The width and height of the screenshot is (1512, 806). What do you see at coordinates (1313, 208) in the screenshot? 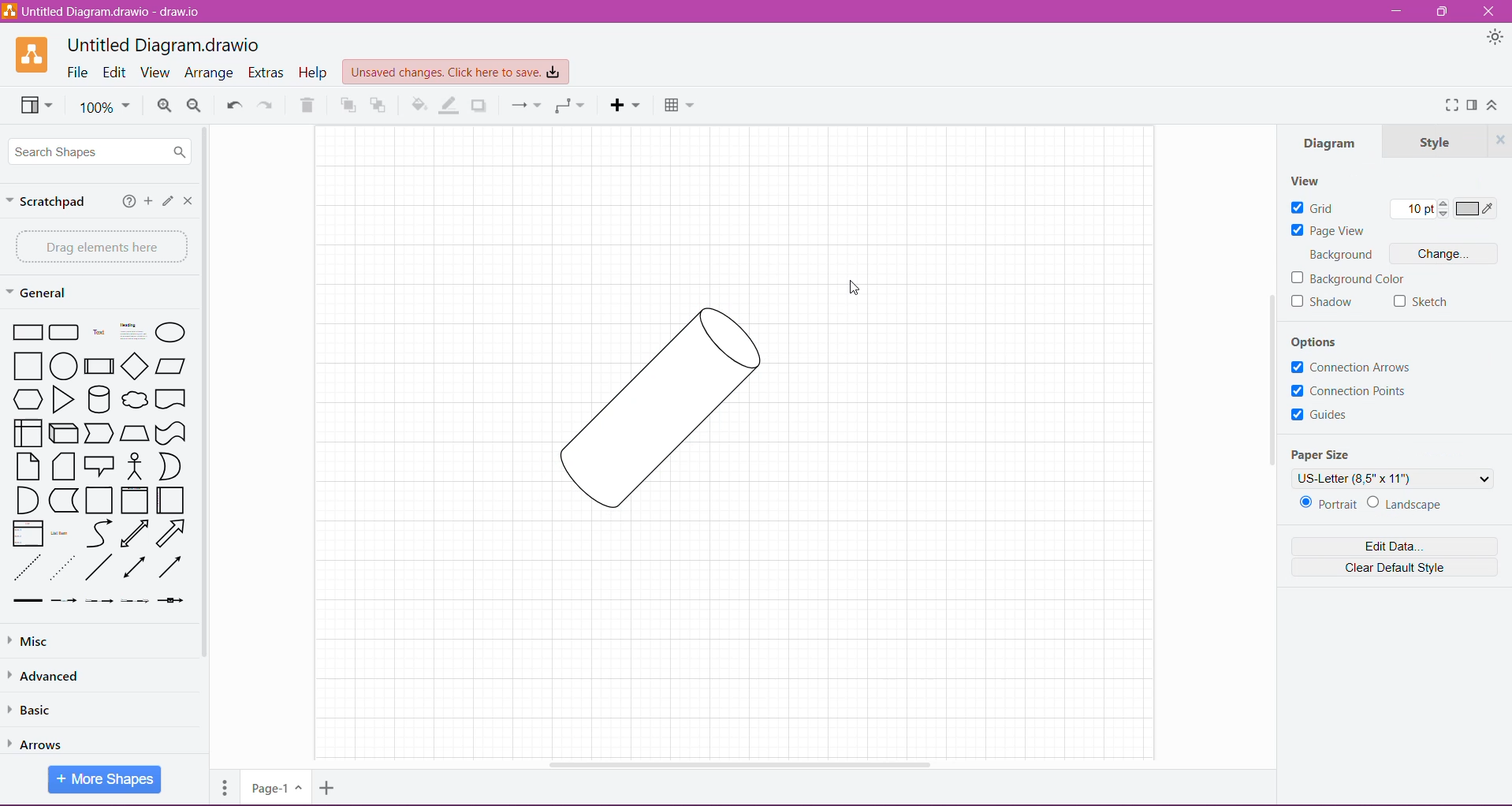
I see `Grid - click to enable/disable` at bounding box center [1313, 208].